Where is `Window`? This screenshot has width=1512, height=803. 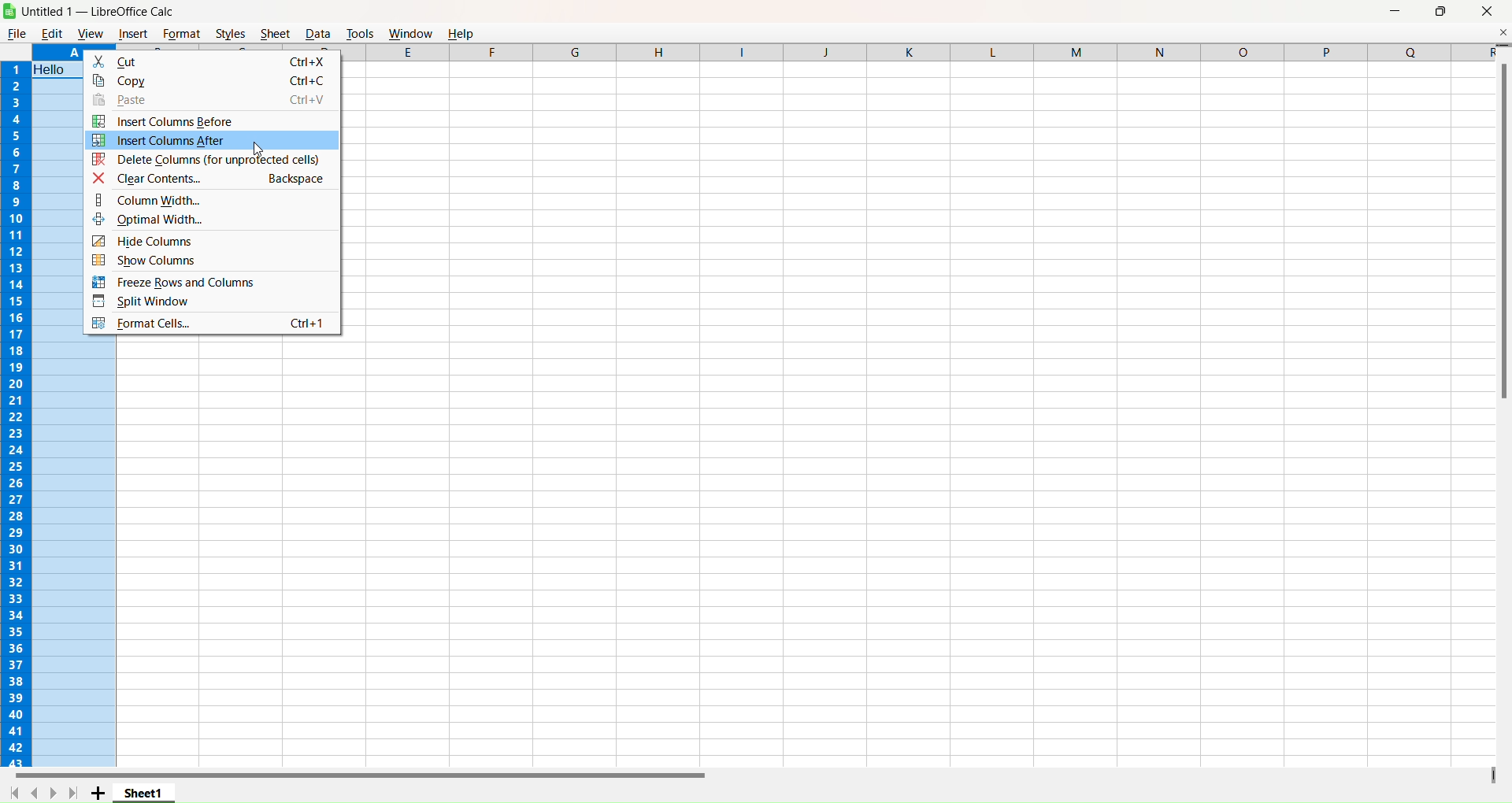 Window is located at coordinates (410, 32).